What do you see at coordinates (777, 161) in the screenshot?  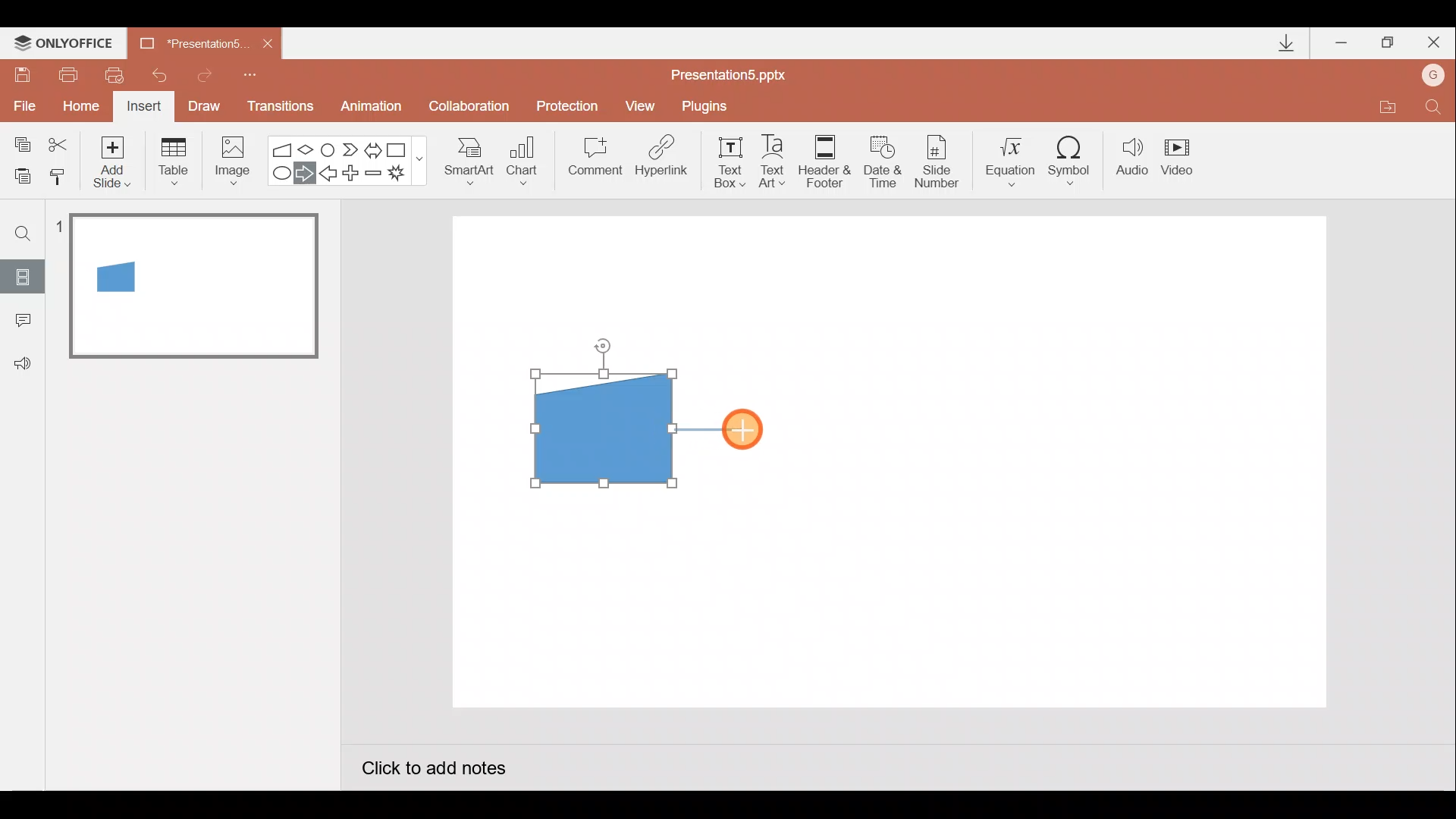 I see `Text Art` at bounding box center [777, 161].